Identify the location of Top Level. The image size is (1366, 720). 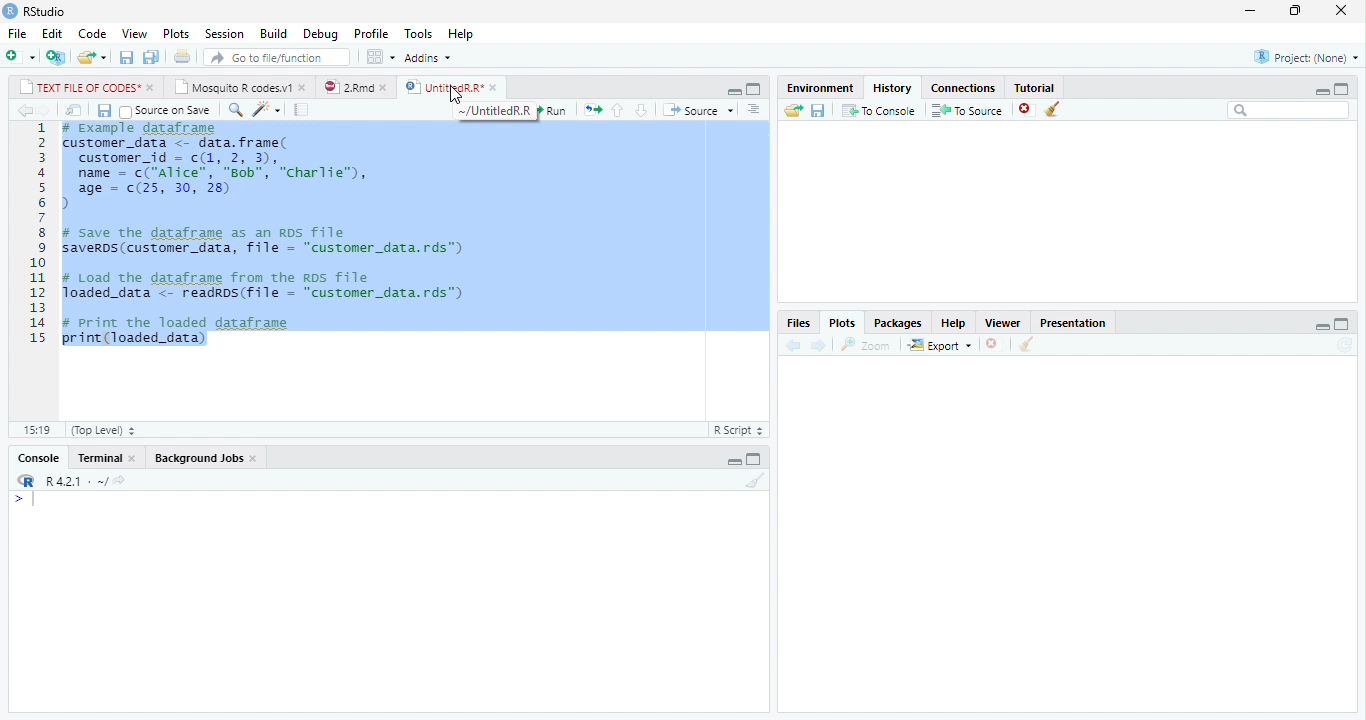
(104, 430).